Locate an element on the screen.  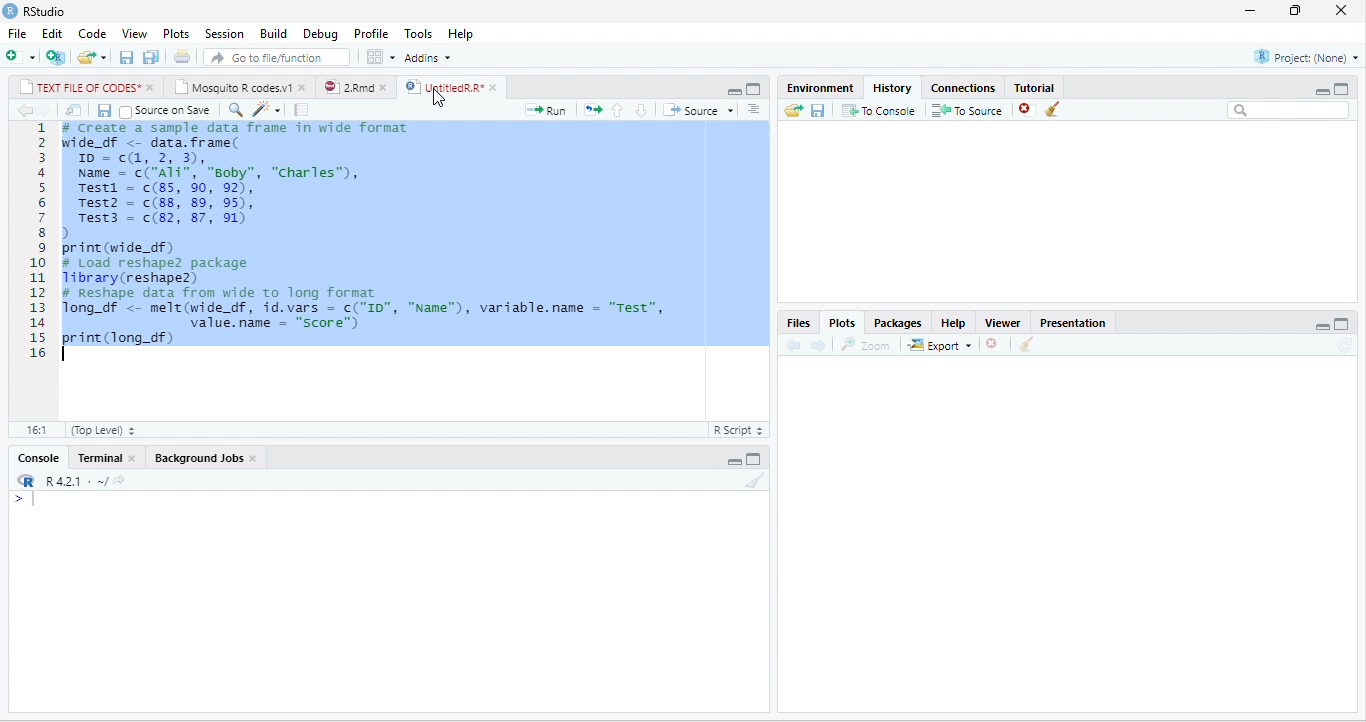
clear is located at coordinates (756, 480).